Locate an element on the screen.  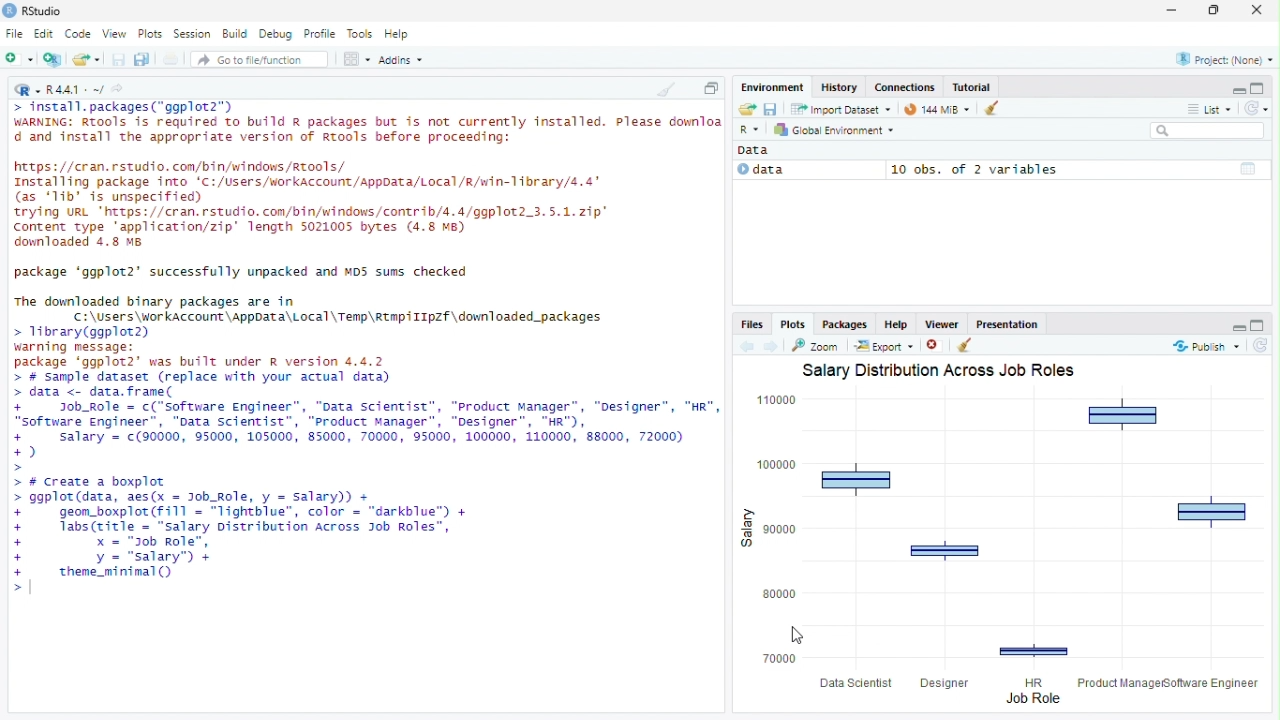
10 obs, of 2 variables is located at coordinates (1078, 169).